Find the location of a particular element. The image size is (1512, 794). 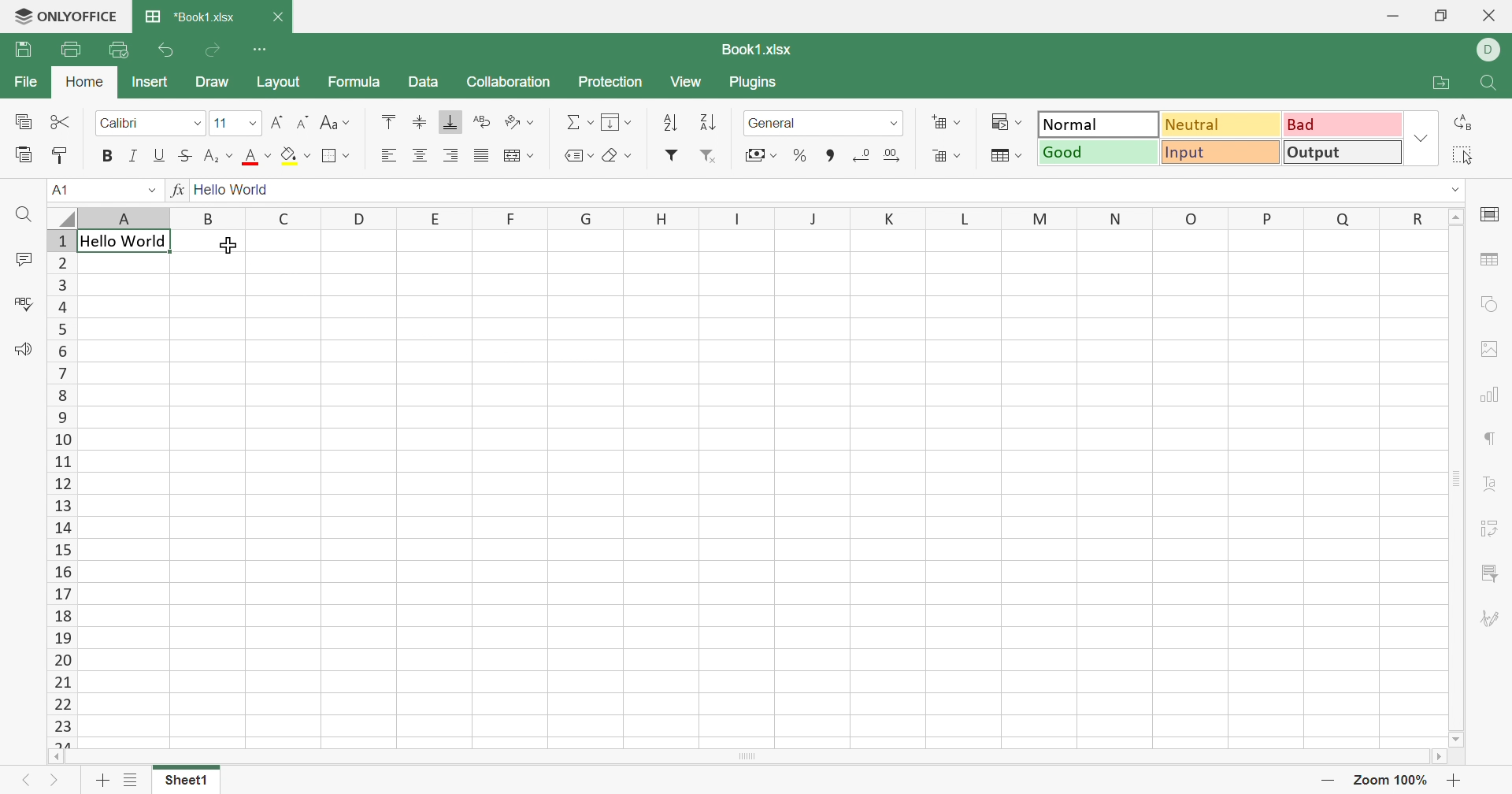

Decrement font size is located at coordinates (303, 121).